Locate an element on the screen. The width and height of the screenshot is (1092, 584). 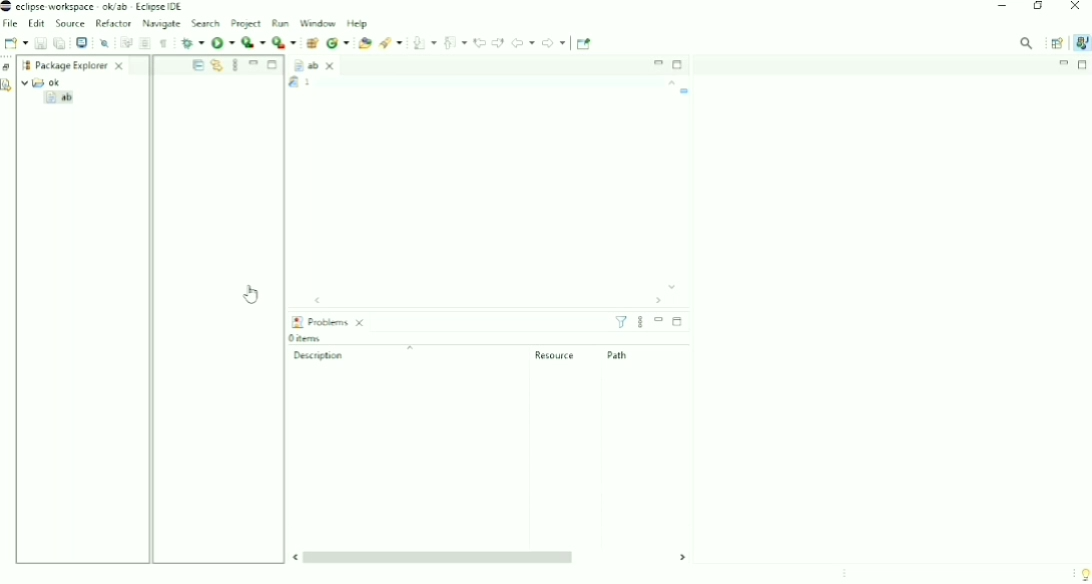
Task name is located at coordinates (686, 91).